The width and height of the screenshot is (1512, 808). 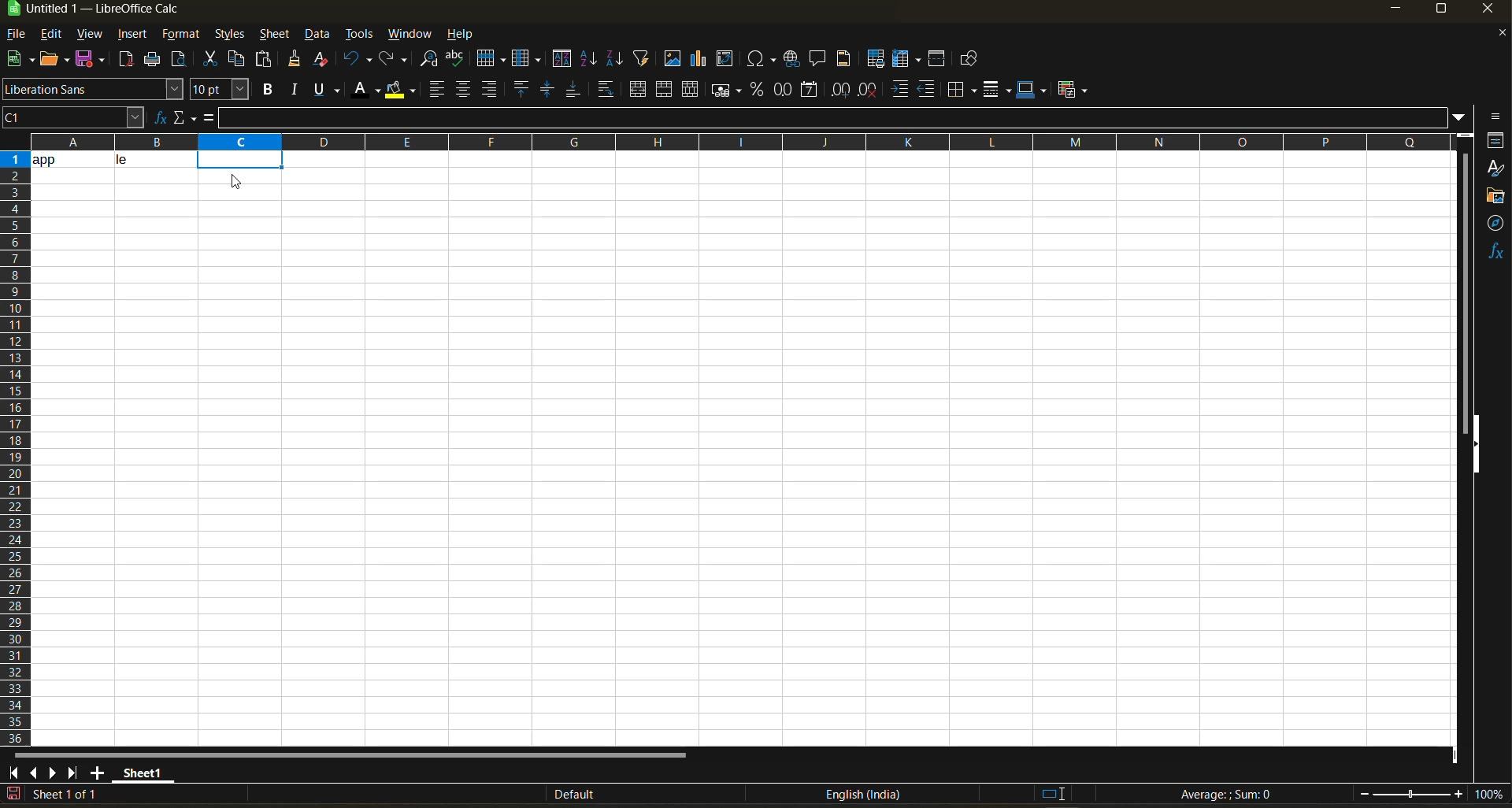 I want to click on minimize, so click(x=1394, y=9).